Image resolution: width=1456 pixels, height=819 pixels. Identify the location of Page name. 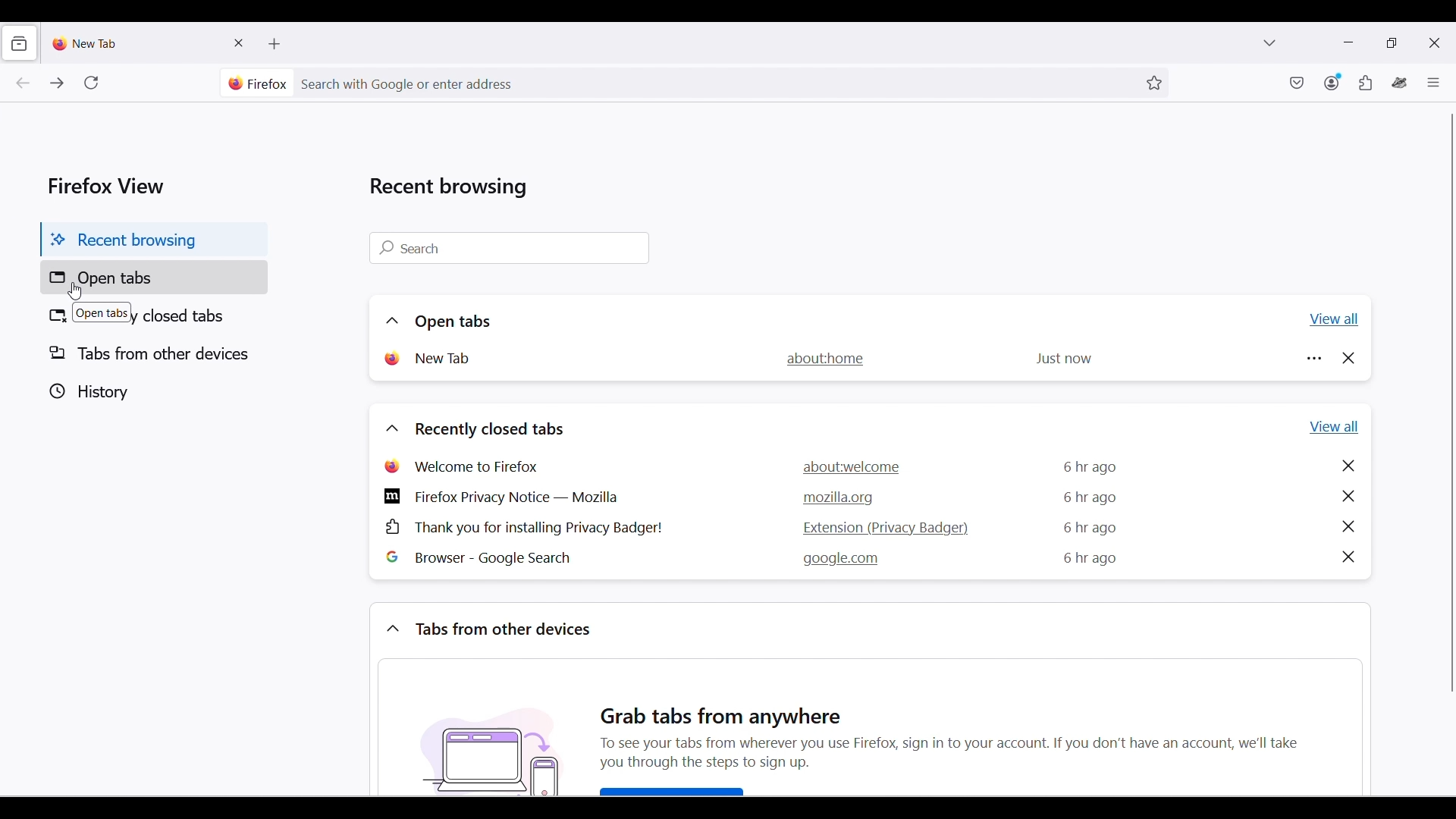
(825, 358).